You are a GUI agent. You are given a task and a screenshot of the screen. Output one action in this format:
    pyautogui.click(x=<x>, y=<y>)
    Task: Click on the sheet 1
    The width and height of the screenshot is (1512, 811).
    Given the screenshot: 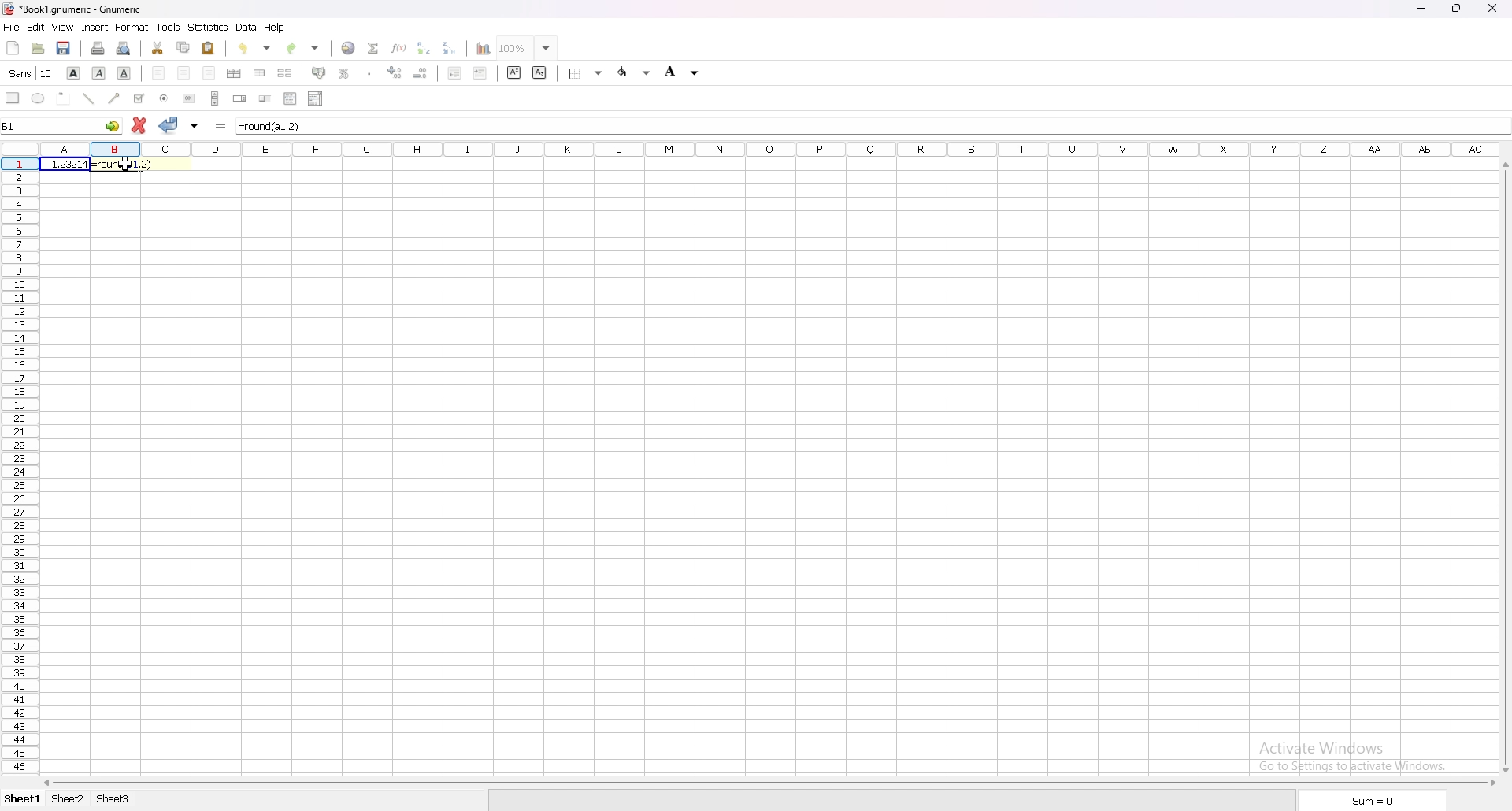 What is the action you would take?
    pyautogui.click(x=23, y=799)
    